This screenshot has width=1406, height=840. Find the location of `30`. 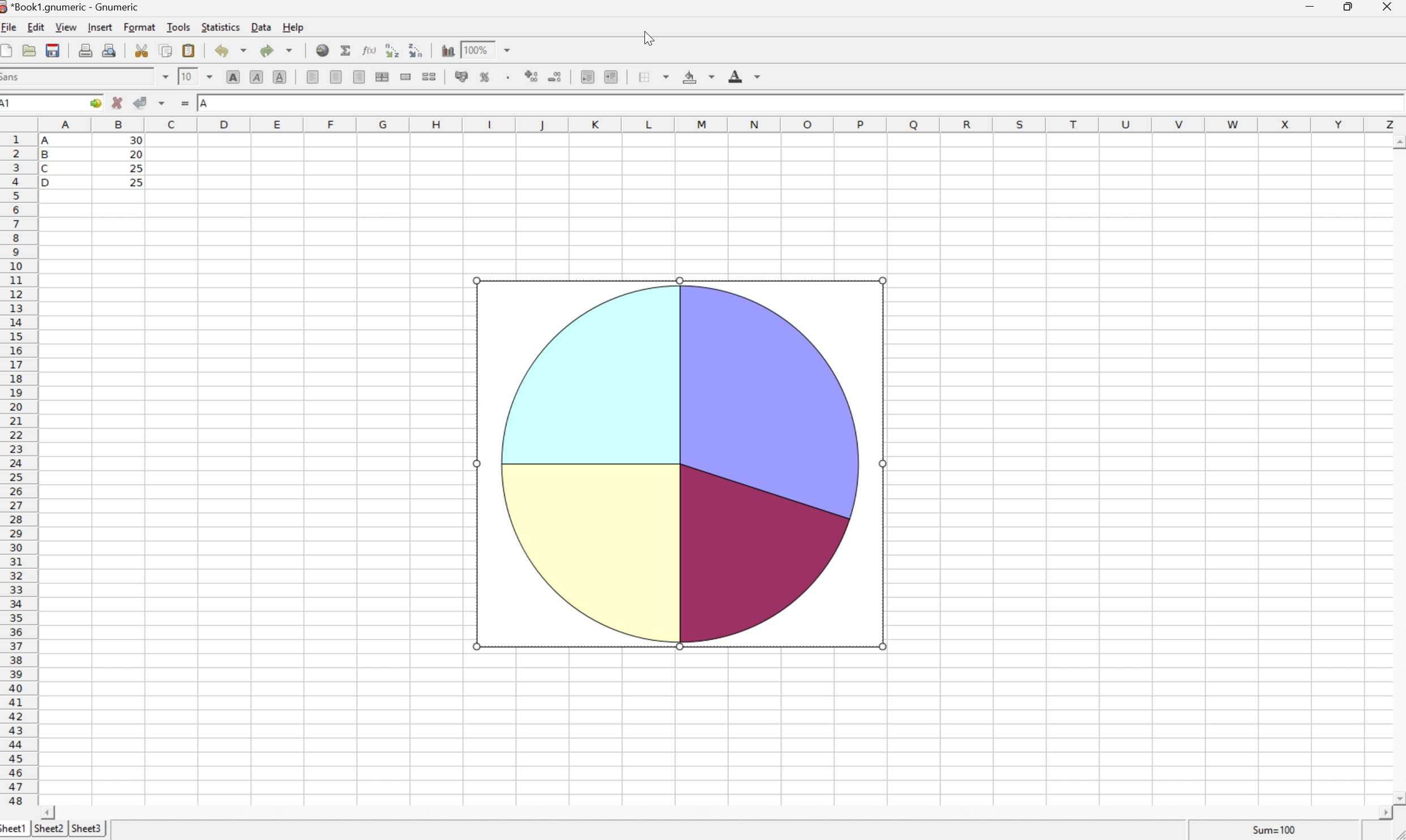

30 is located at coordinates (135, 142).